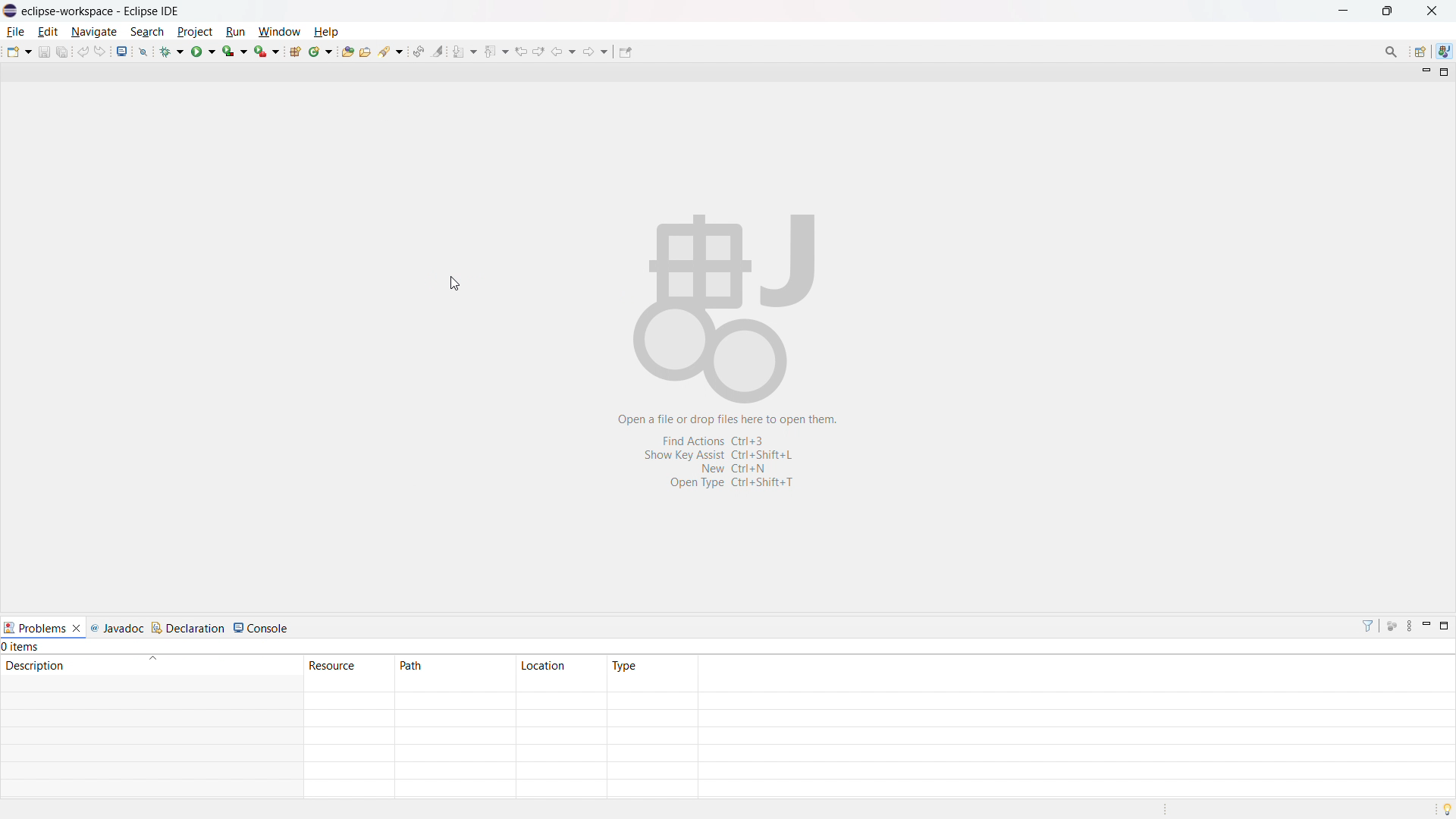 The height and width of the screenshot is (819, 1456). Describe the element at coordinates (732, 483) in the screenshot. I see `Open Type Ctrl+Shift+T` at that location.